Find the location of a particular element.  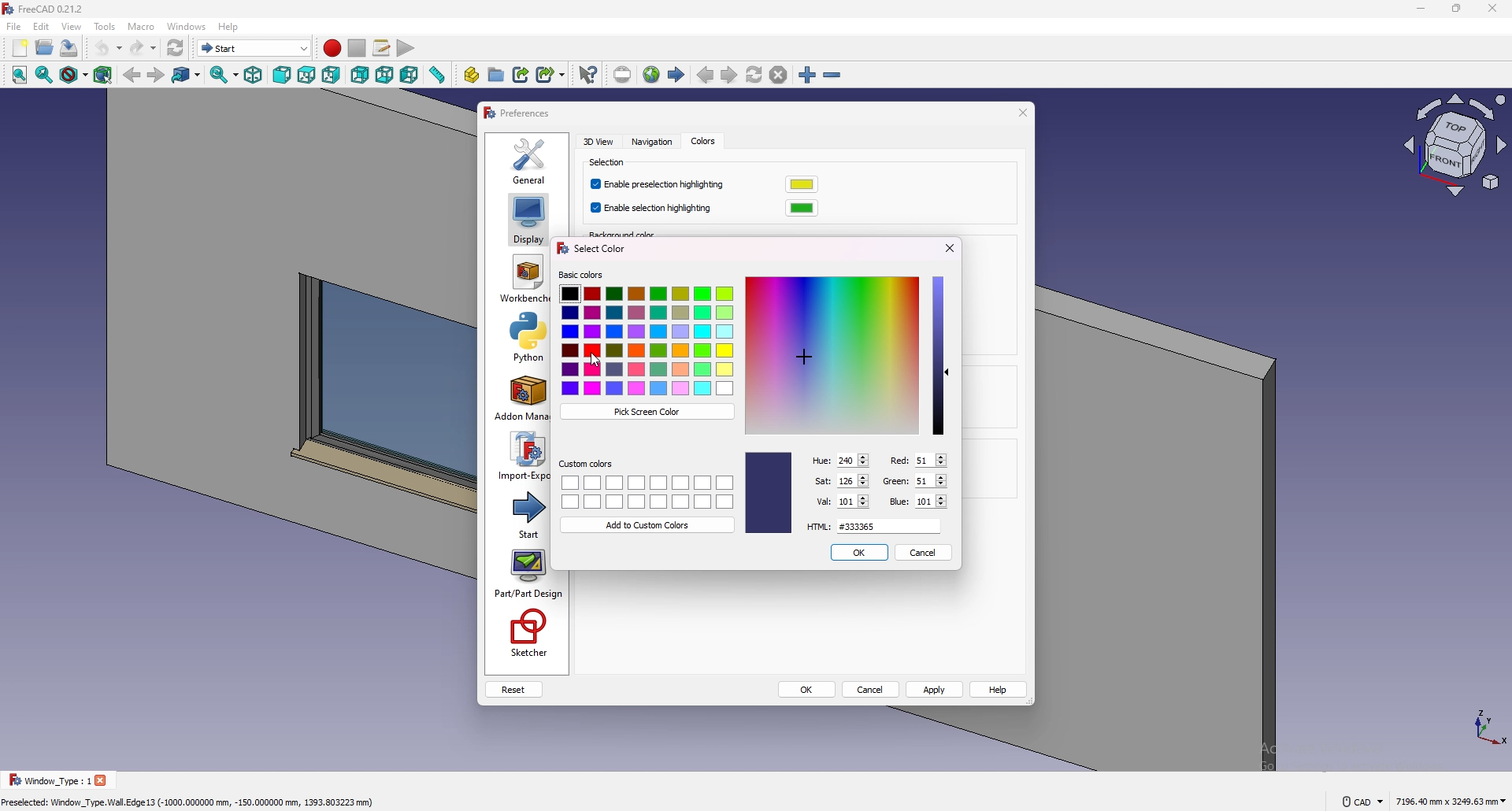

save is located at coordinates (69, 47).